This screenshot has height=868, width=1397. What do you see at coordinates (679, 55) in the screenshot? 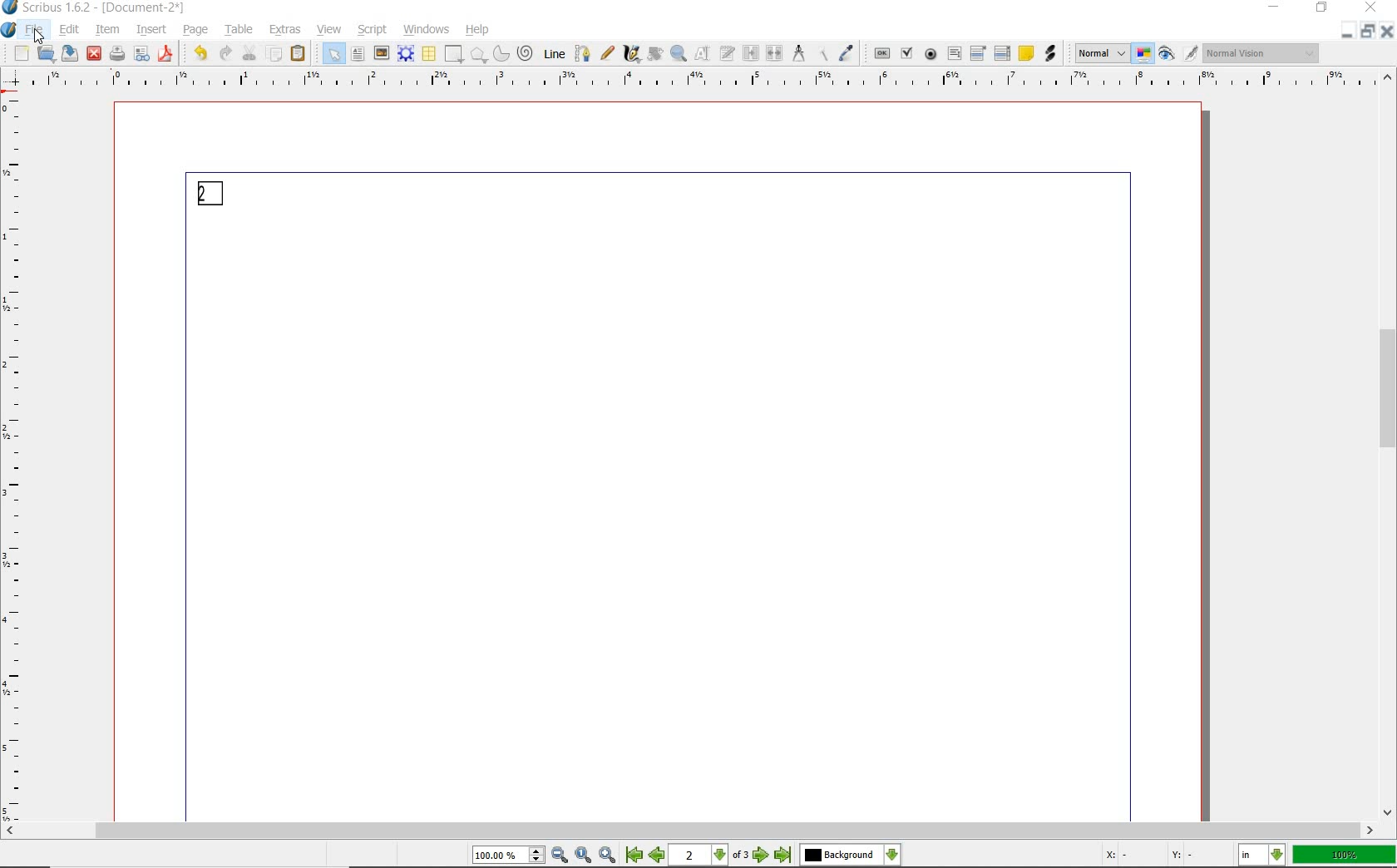
I see `zoom in or zoom out` at bounding box center [679, 55].